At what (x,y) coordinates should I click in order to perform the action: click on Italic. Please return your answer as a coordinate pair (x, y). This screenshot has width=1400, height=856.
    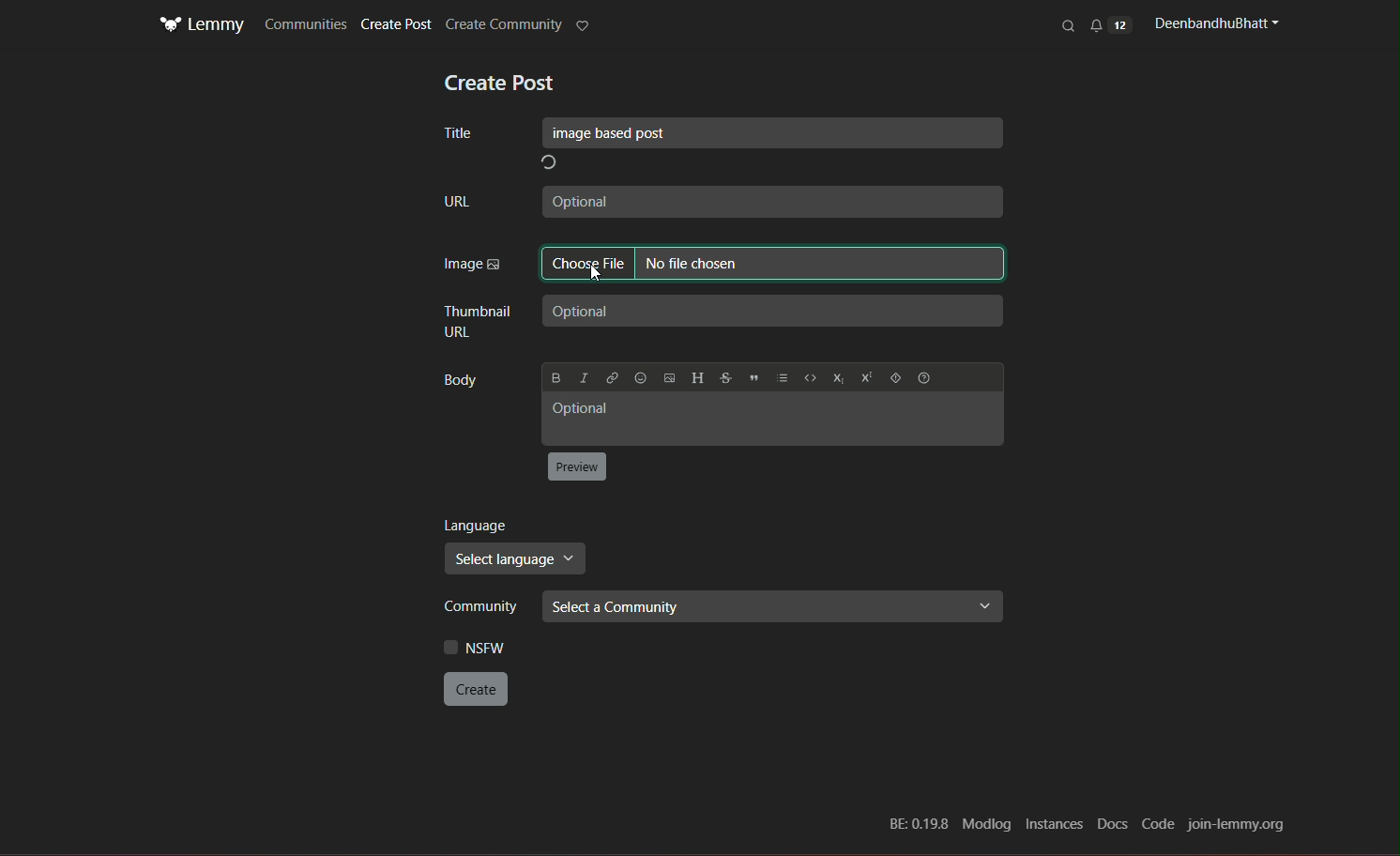
    Looking at the image, I should click on (585, 374).